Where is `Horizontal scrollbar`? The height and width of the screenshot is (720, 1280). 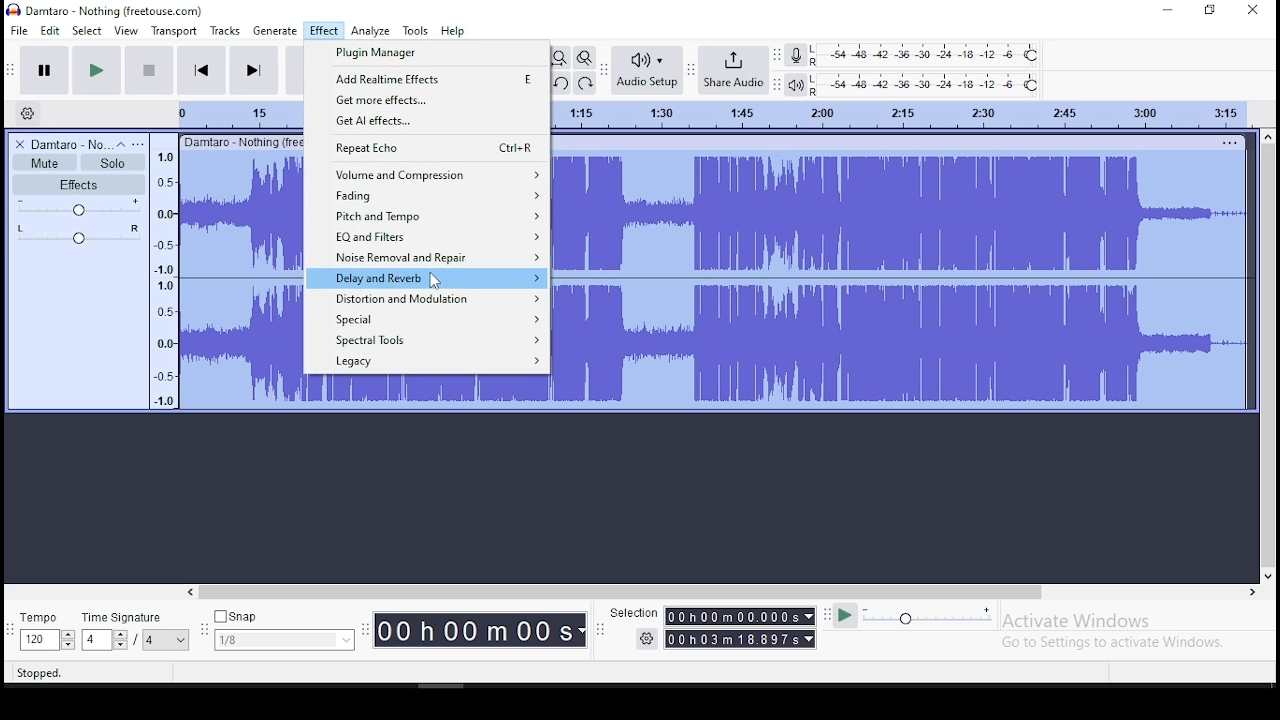
Horizontal scrollbar is located at coordinates (708, 593).